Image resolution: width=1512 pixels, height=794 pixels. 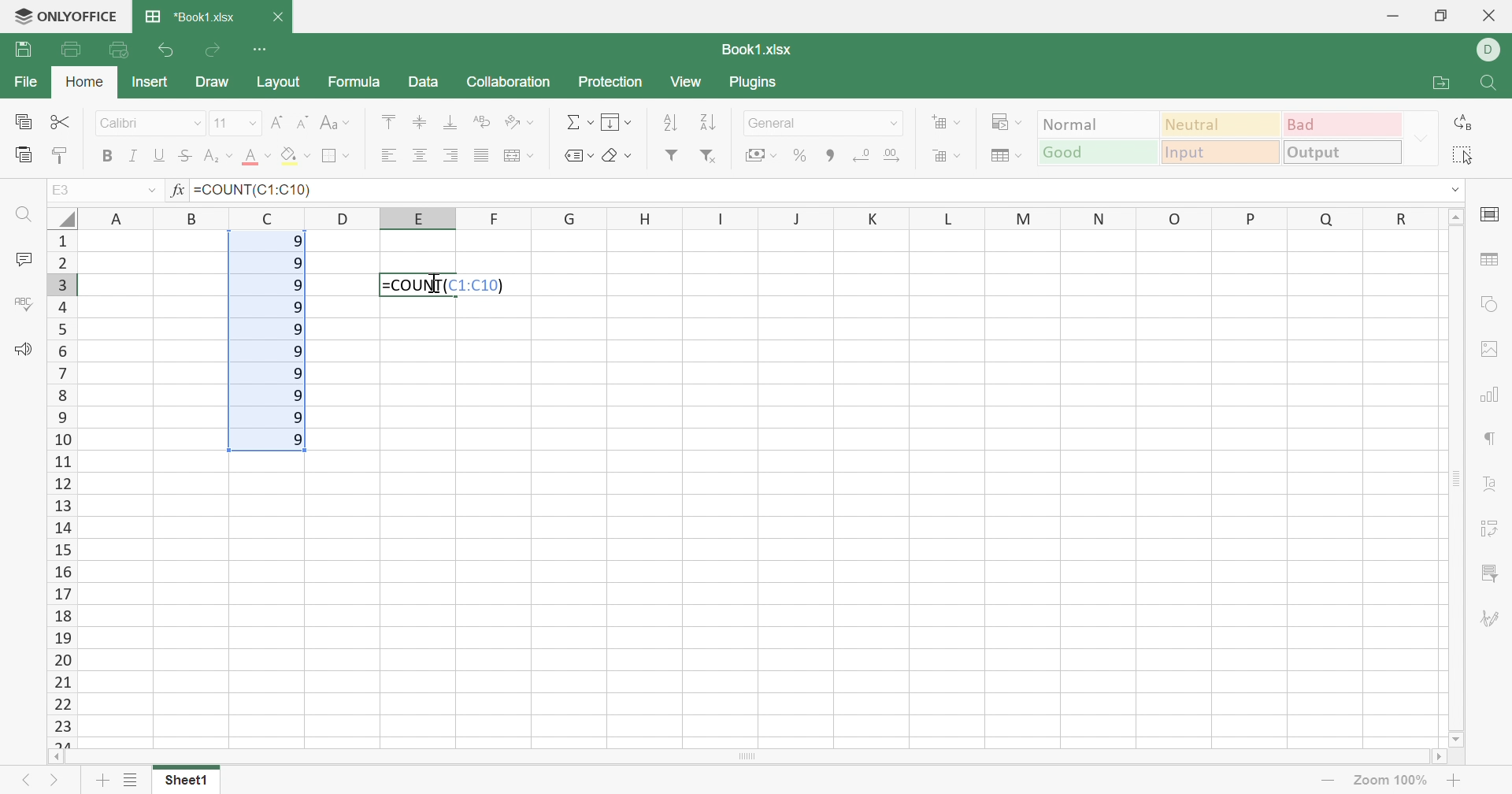 What do you see at coordinates (83, 82) in the screenshot?
I see `Home` at bounding box center [83, 82].